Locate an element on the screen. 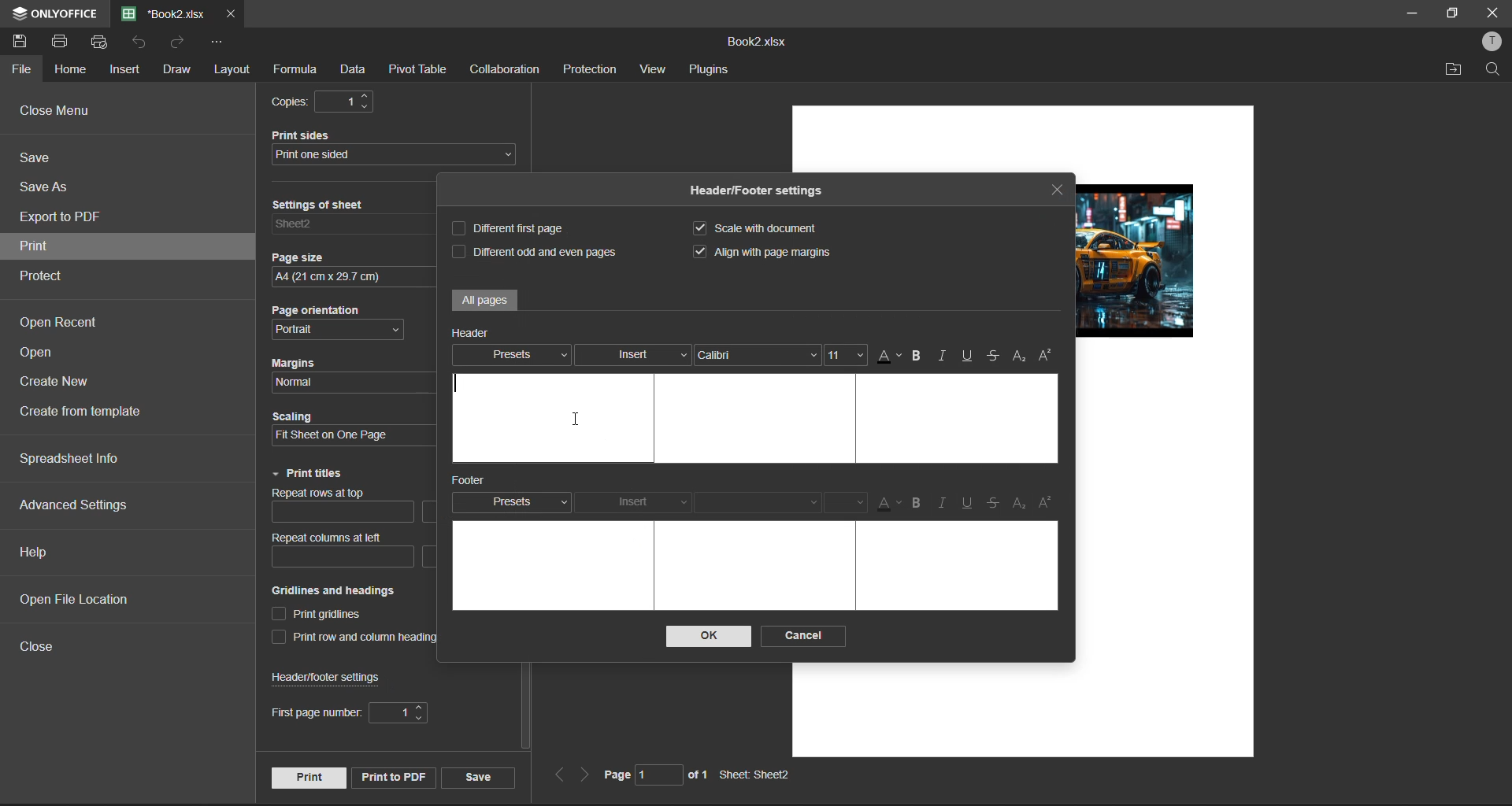 Image resolution: width=1512 pixels, height=806 pixels. advanced settings is located at coordinates (76, 505).